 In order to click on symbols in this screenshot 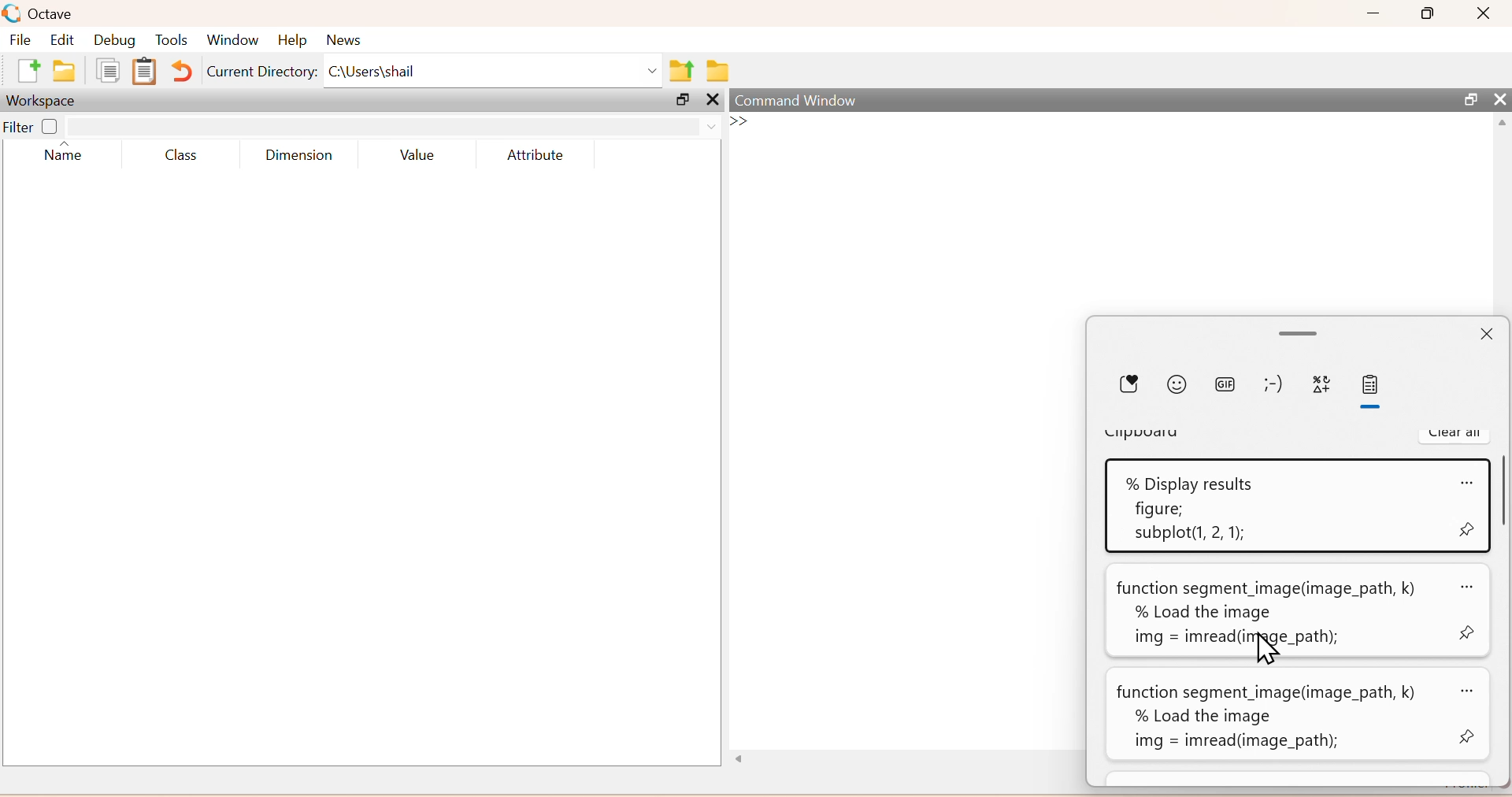, I will do `click(1327, 385)`.